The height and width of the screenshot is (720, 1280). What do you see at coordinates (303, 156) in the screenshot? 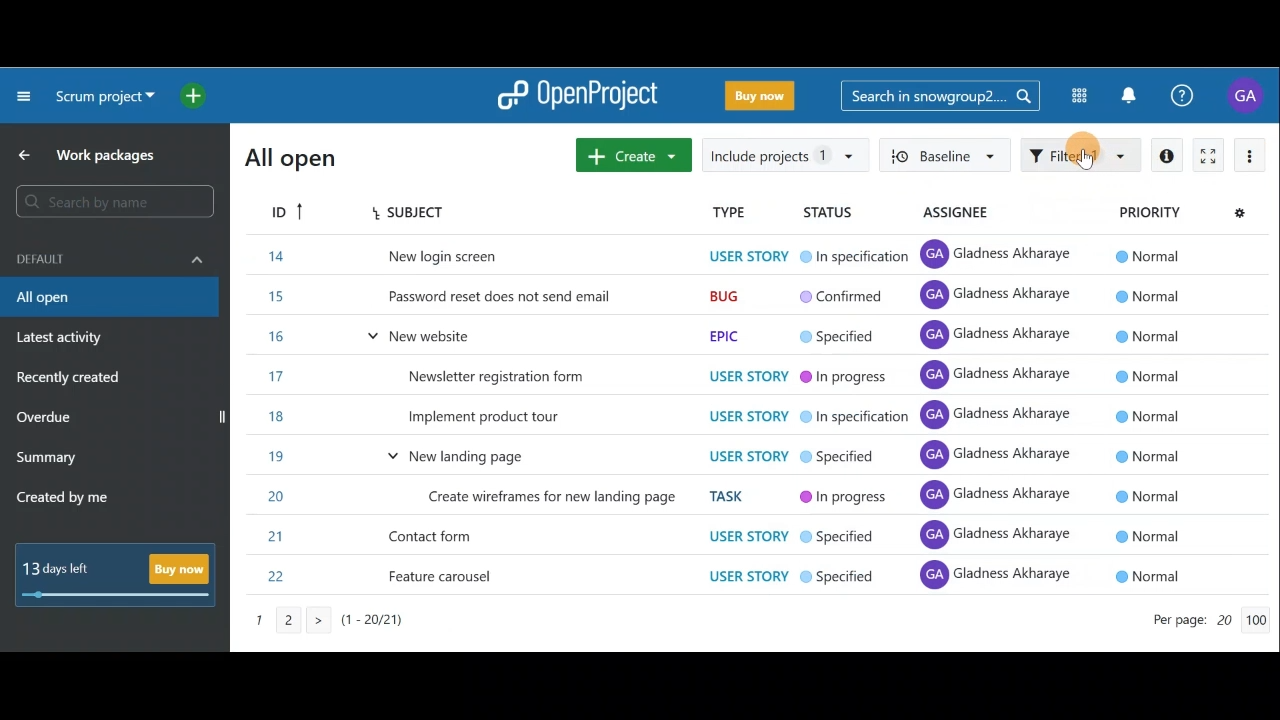
I see `All open` at bounding box center [303, 156].